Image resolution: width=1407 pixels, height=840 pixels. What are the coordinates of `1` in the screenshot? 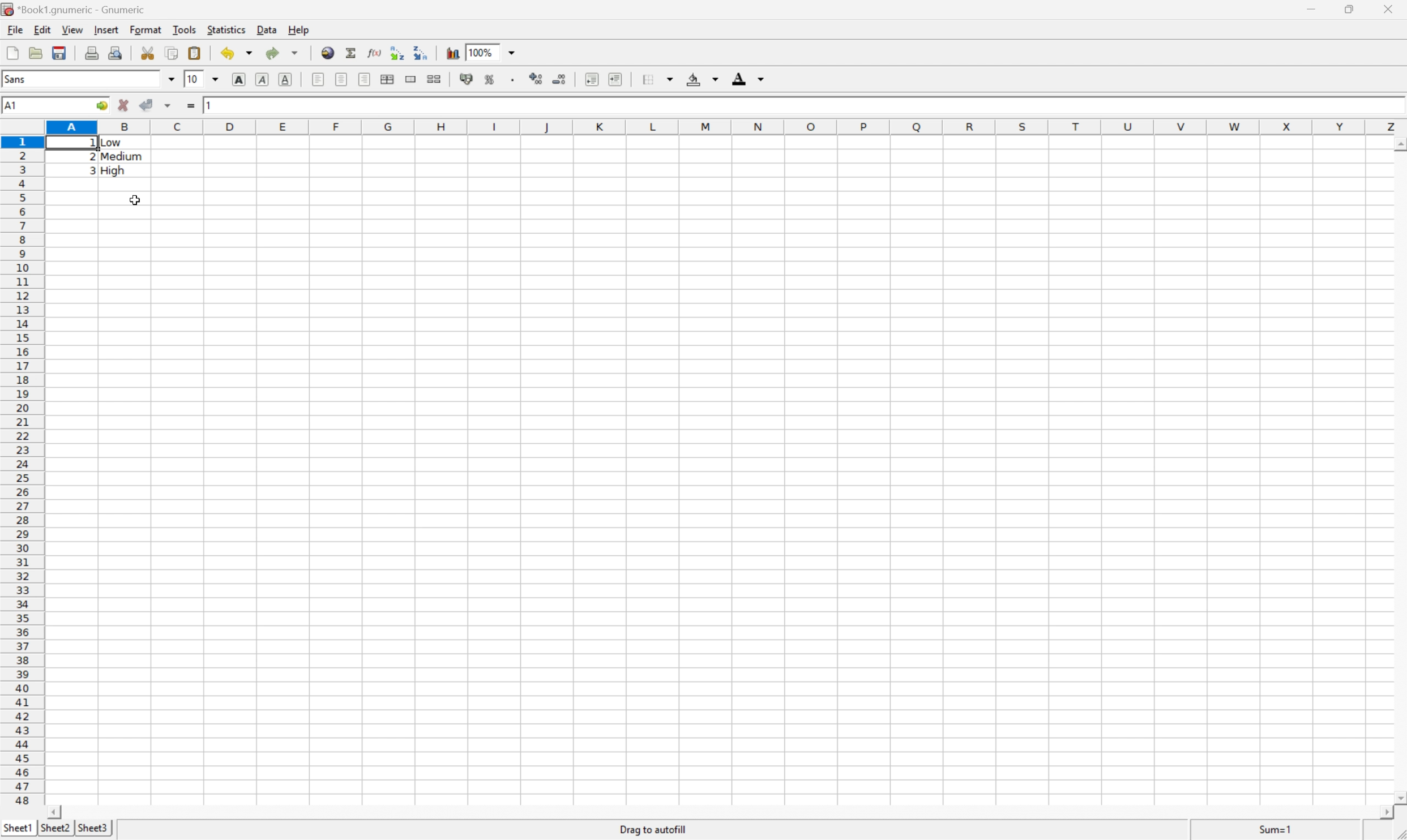 It's located at (94, 143).